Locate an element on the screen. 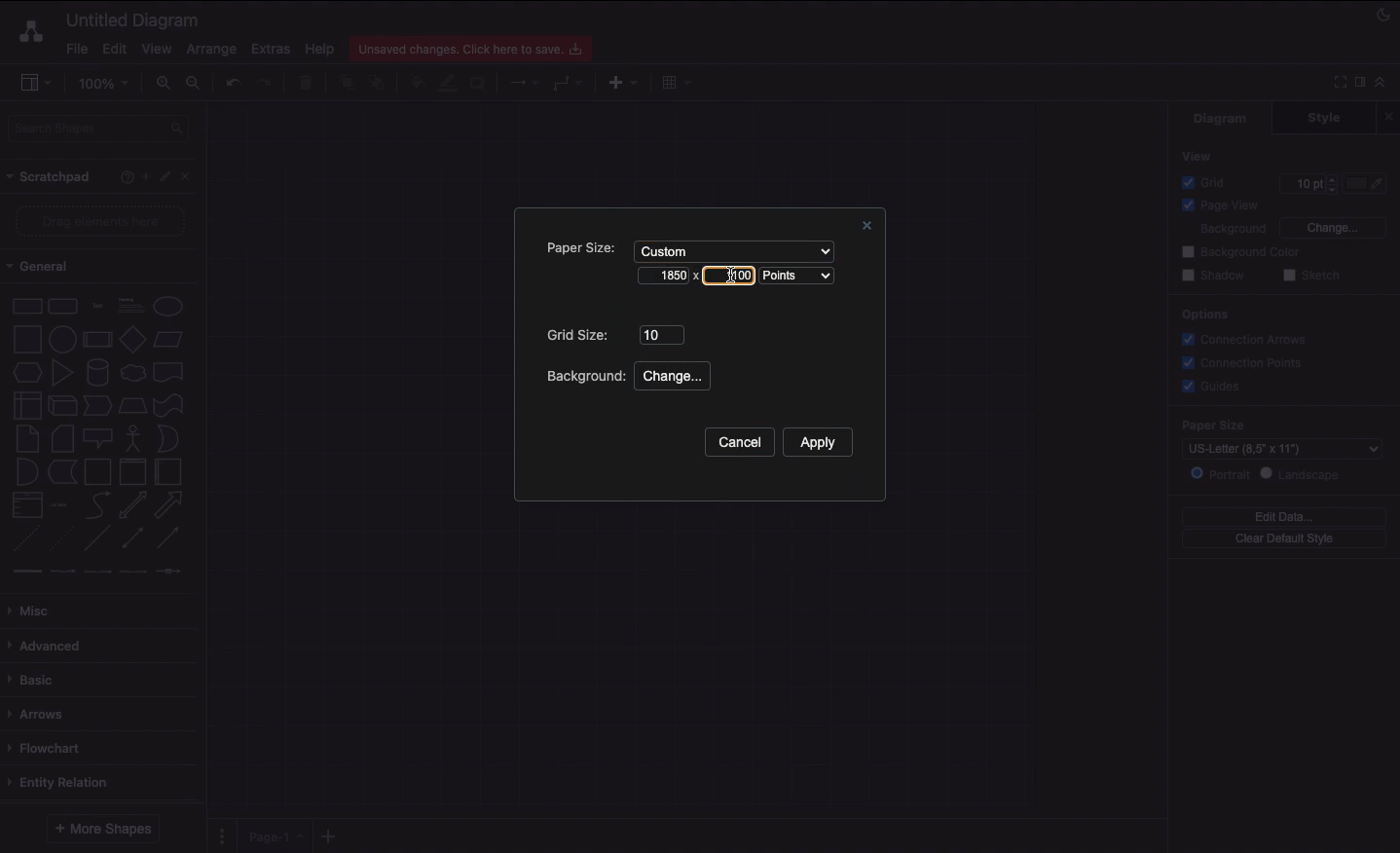 The width and height of the screenshot is (1400, 853). List is located at coordinates (25, 505).